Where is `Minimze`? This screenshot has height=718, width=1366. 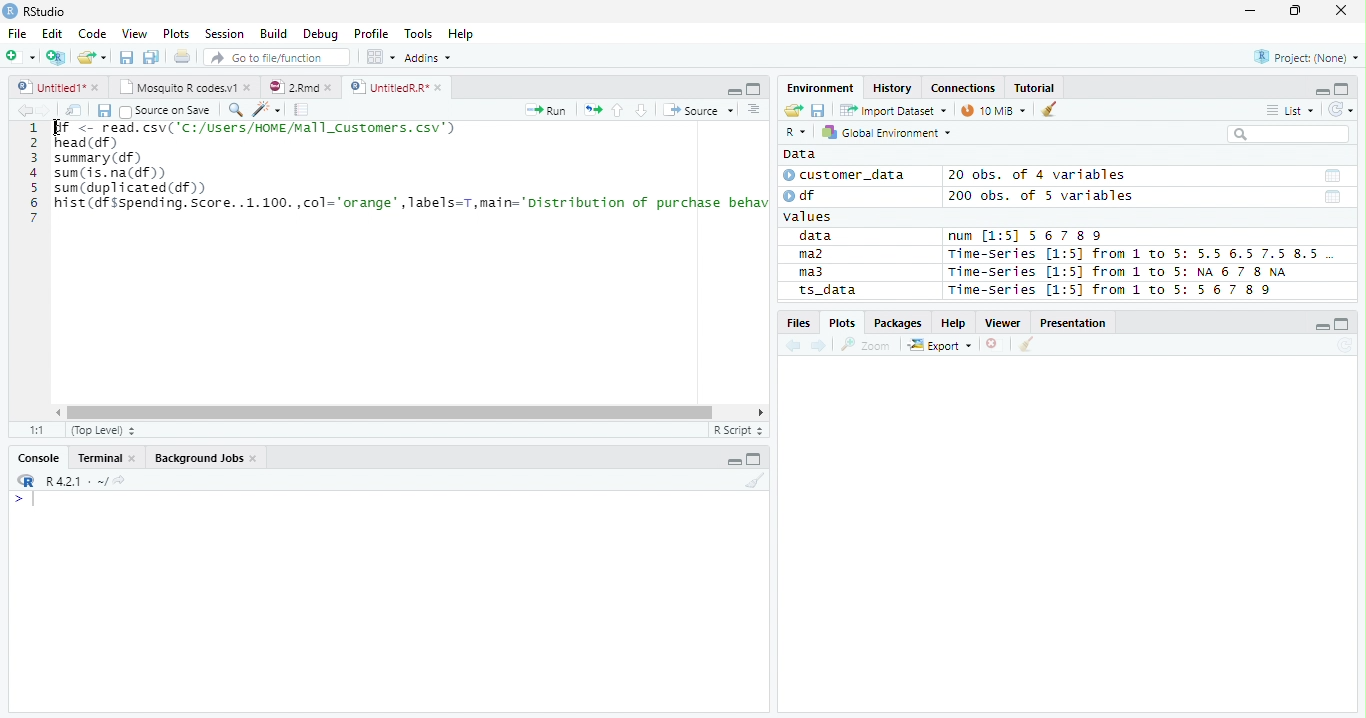 Minimze is located at coordinates (1320, 90).